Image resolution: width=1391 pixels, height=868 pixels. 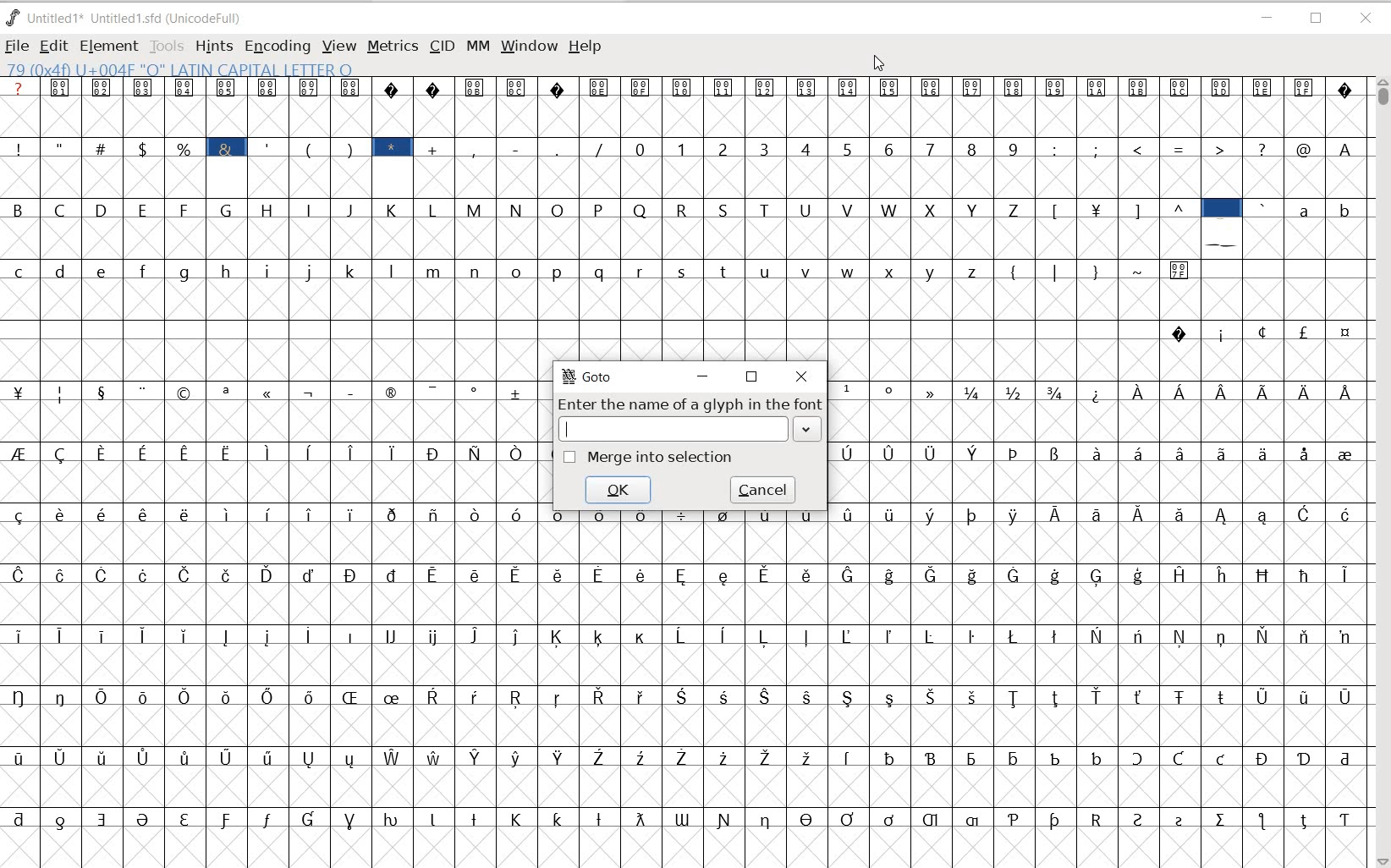 What do you see at coordinates (269, 613) in the screenshot?
I see `GLYPHY CHARACTERS & NUMBERS` at bounding box center [269, 613].